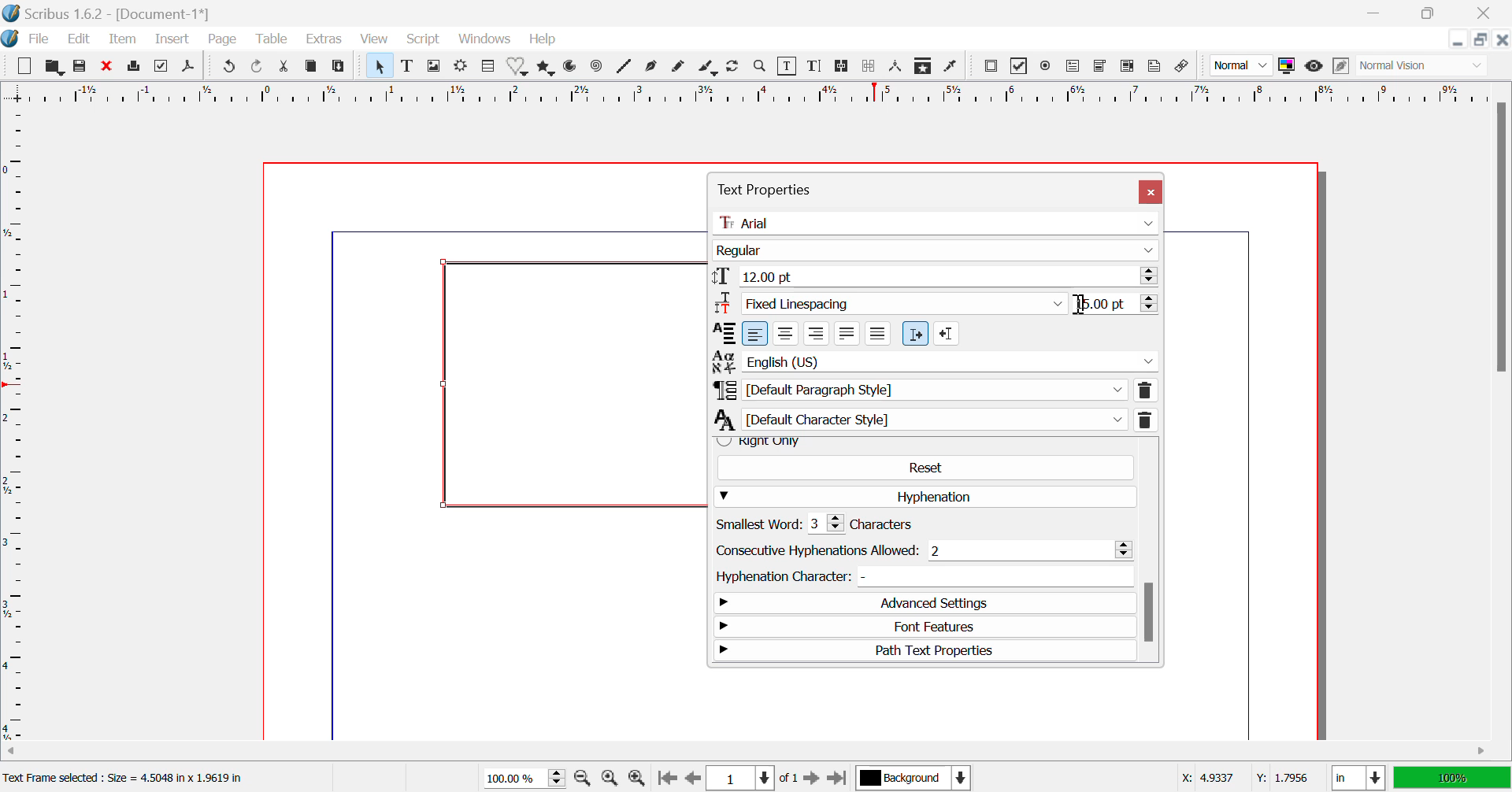 This screenshot has height=792, width=1512. Describe the element at coordinates (526, 777) in the screenshot. I see `Zoom 100%` at that location.